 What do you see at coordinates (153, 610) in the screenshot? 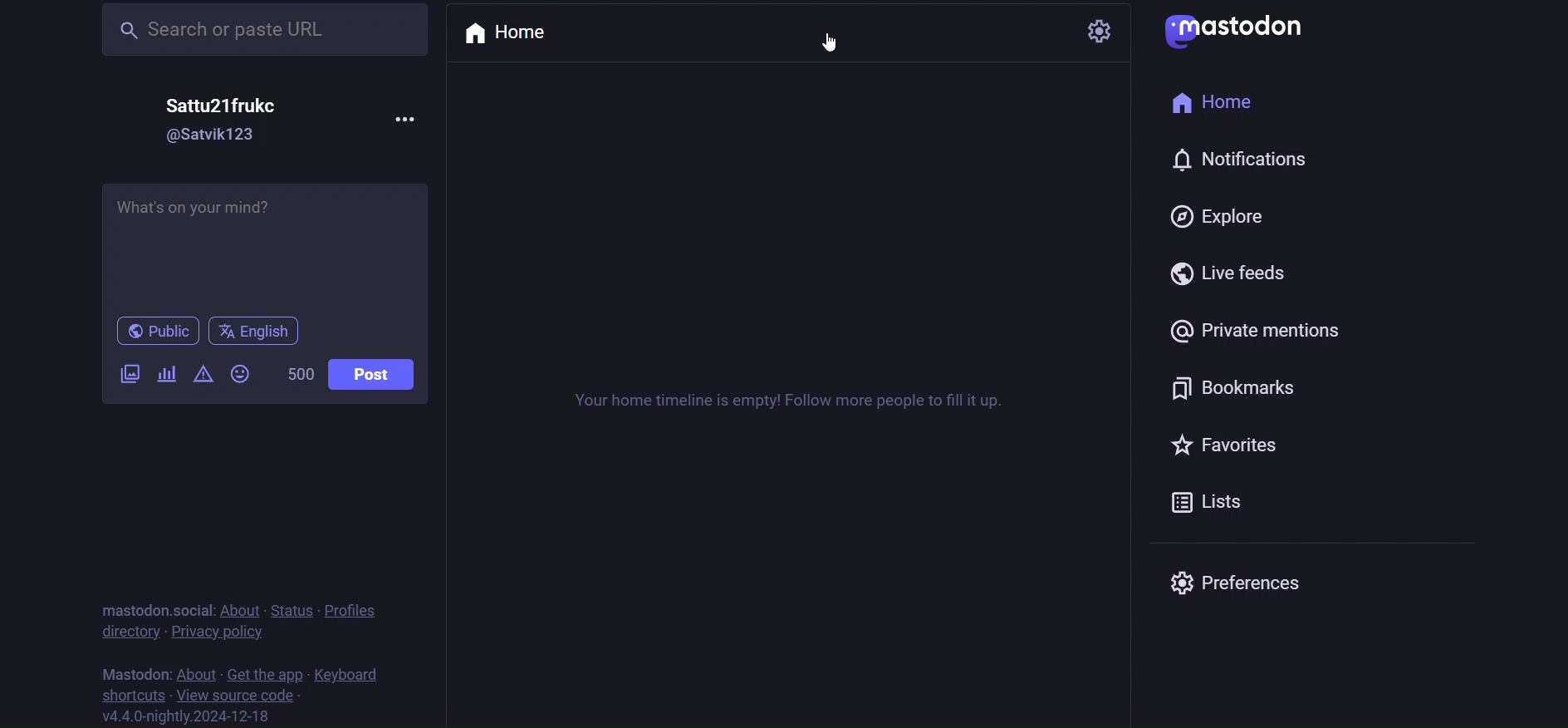
I see `mastodon social` at bounding box center [153, 610].